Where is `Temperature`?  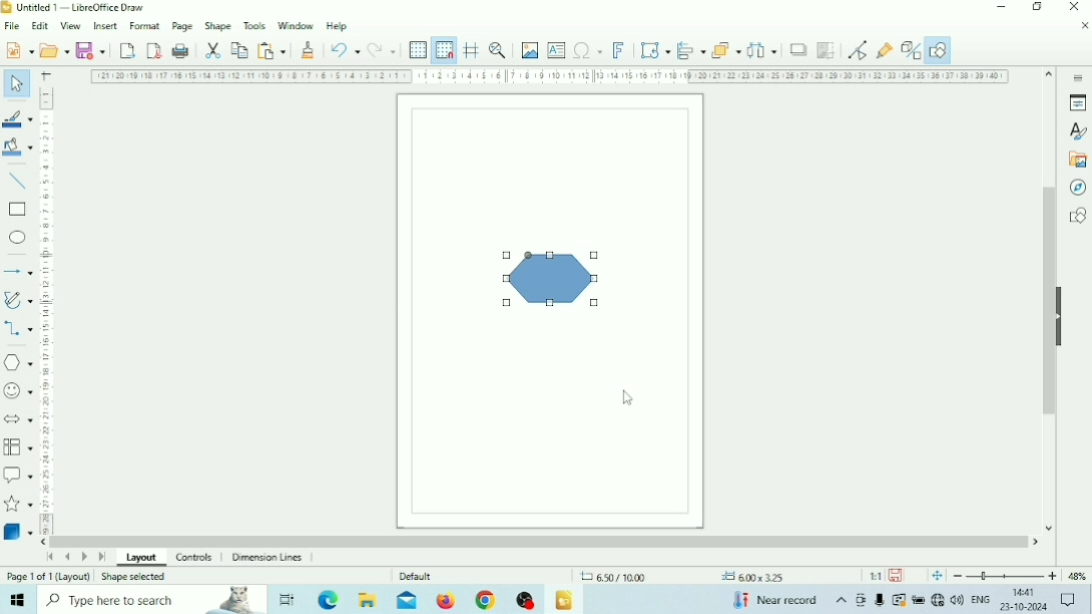 Temperature is located at coordinates (774, 599).